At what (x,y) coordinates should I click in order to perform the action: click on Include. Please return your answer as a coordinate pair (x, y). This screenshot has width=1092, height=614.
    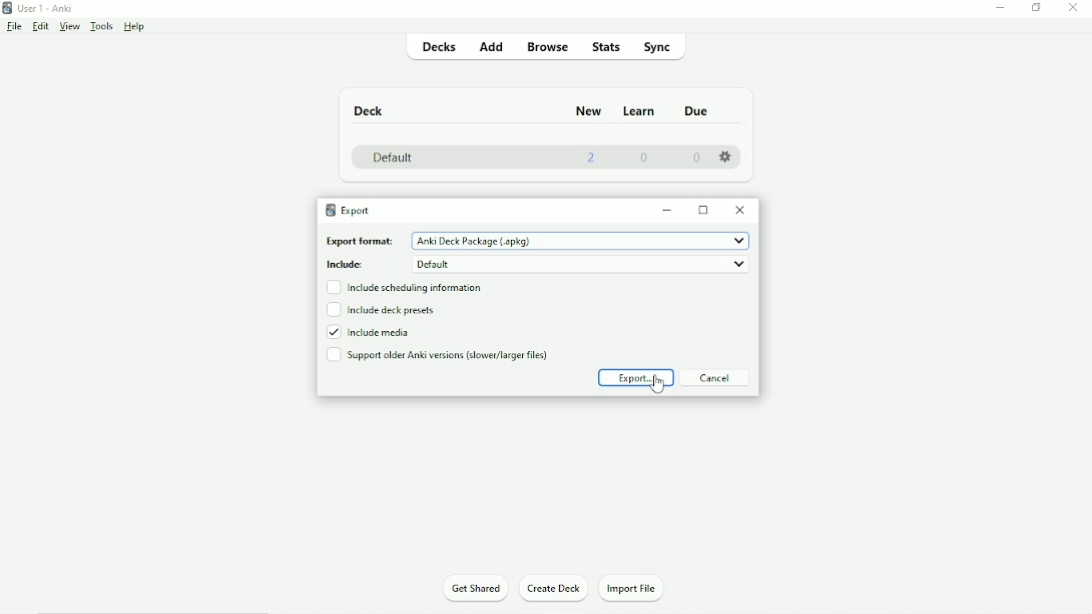
    Looking at the image, I should click on (537, 265).